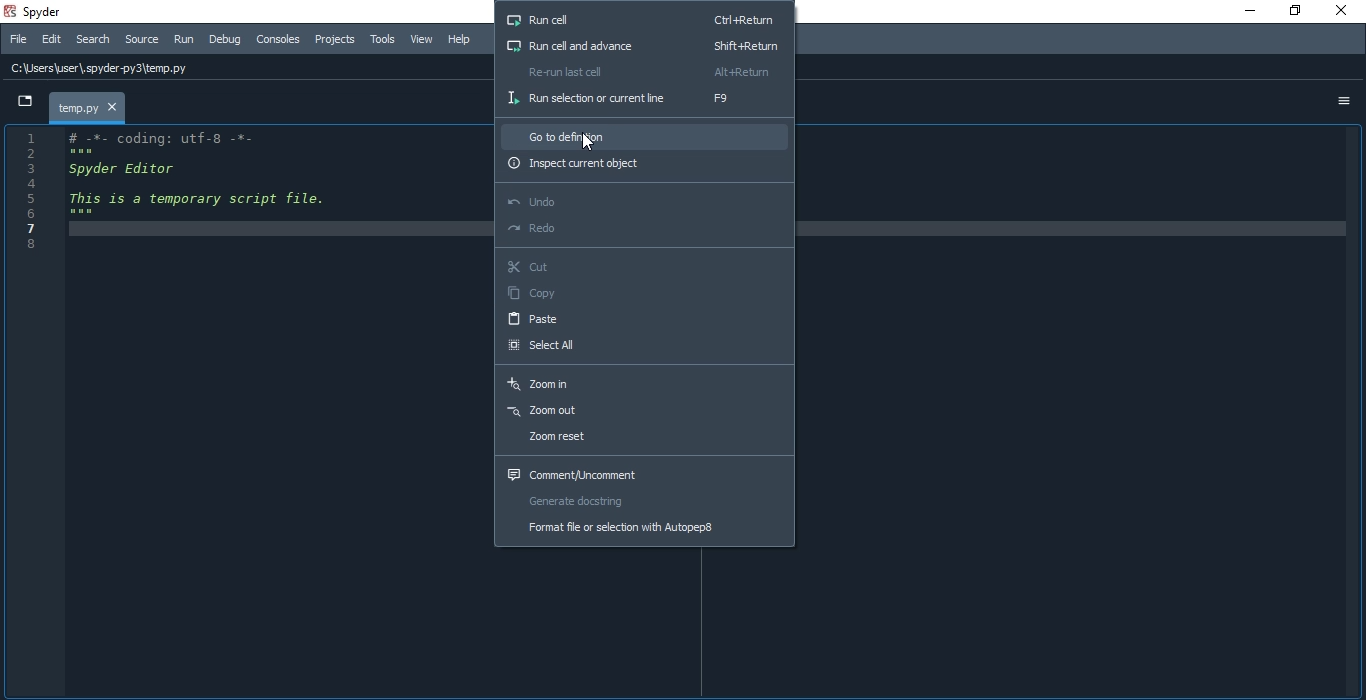 The width and height of the screenshot is (1366, 700). Describe the element at coordinates (280, 41) in the screenshot. I see `Consoles` at that location.